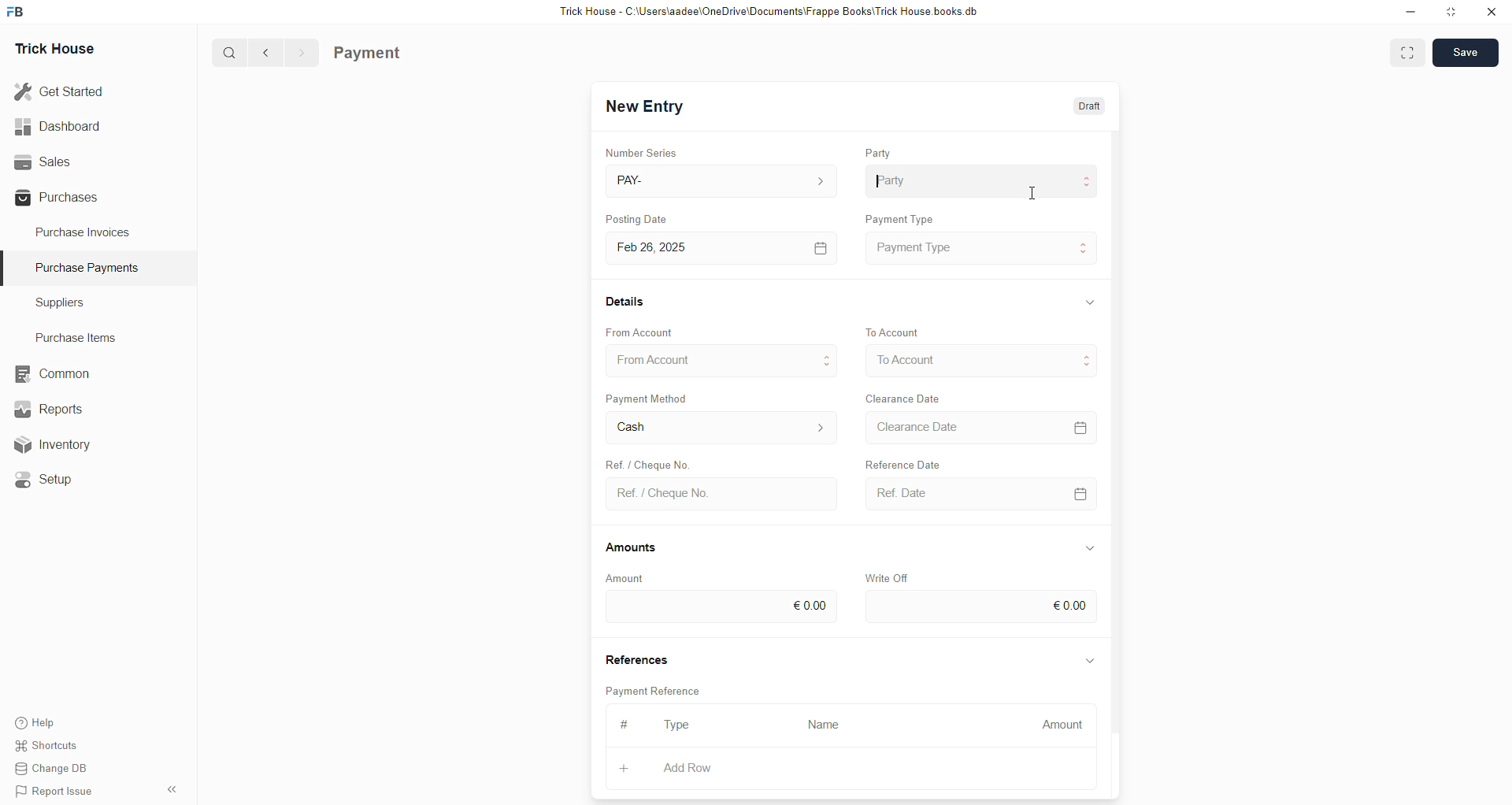 This screenshot has height=805, width=1512. Describe the element at coordinates (77, 304) in the screenshot. I see `Suppliers` at that location.